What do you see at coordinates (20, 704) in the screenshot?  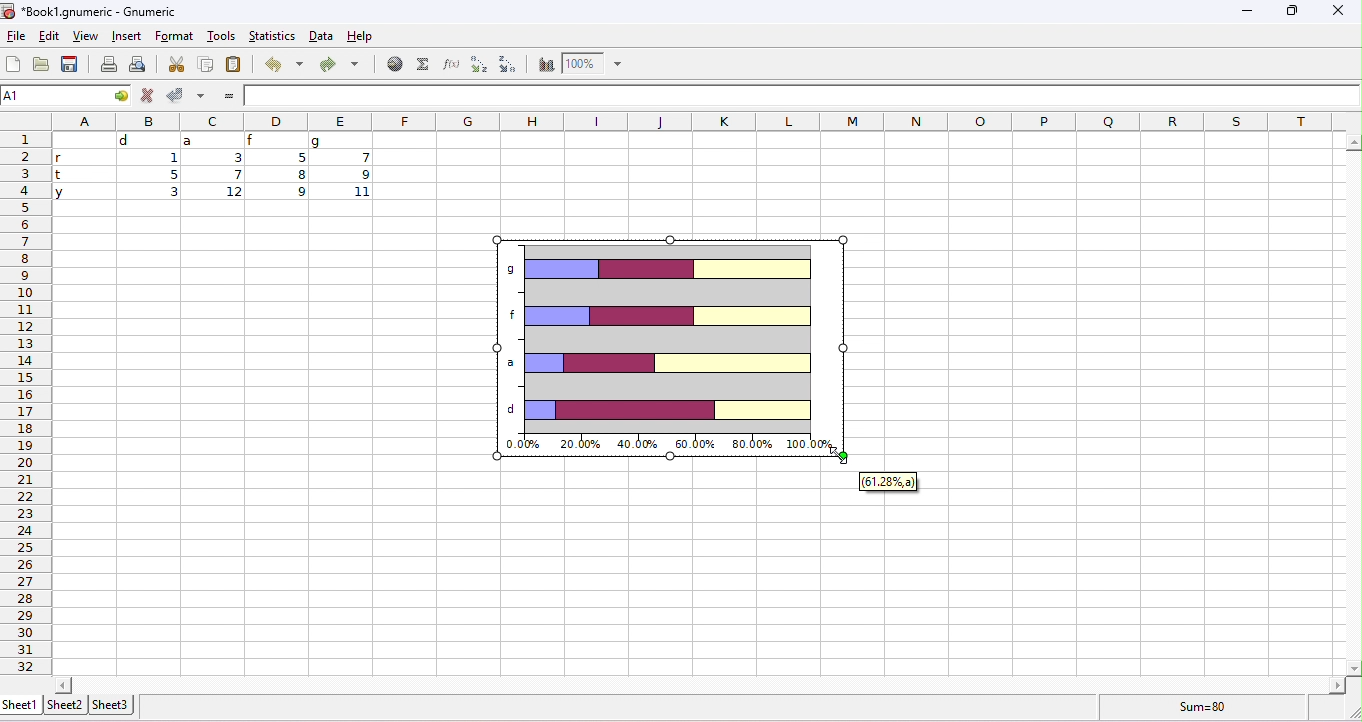 I see `sheet1` at bounding box center [20, 704].